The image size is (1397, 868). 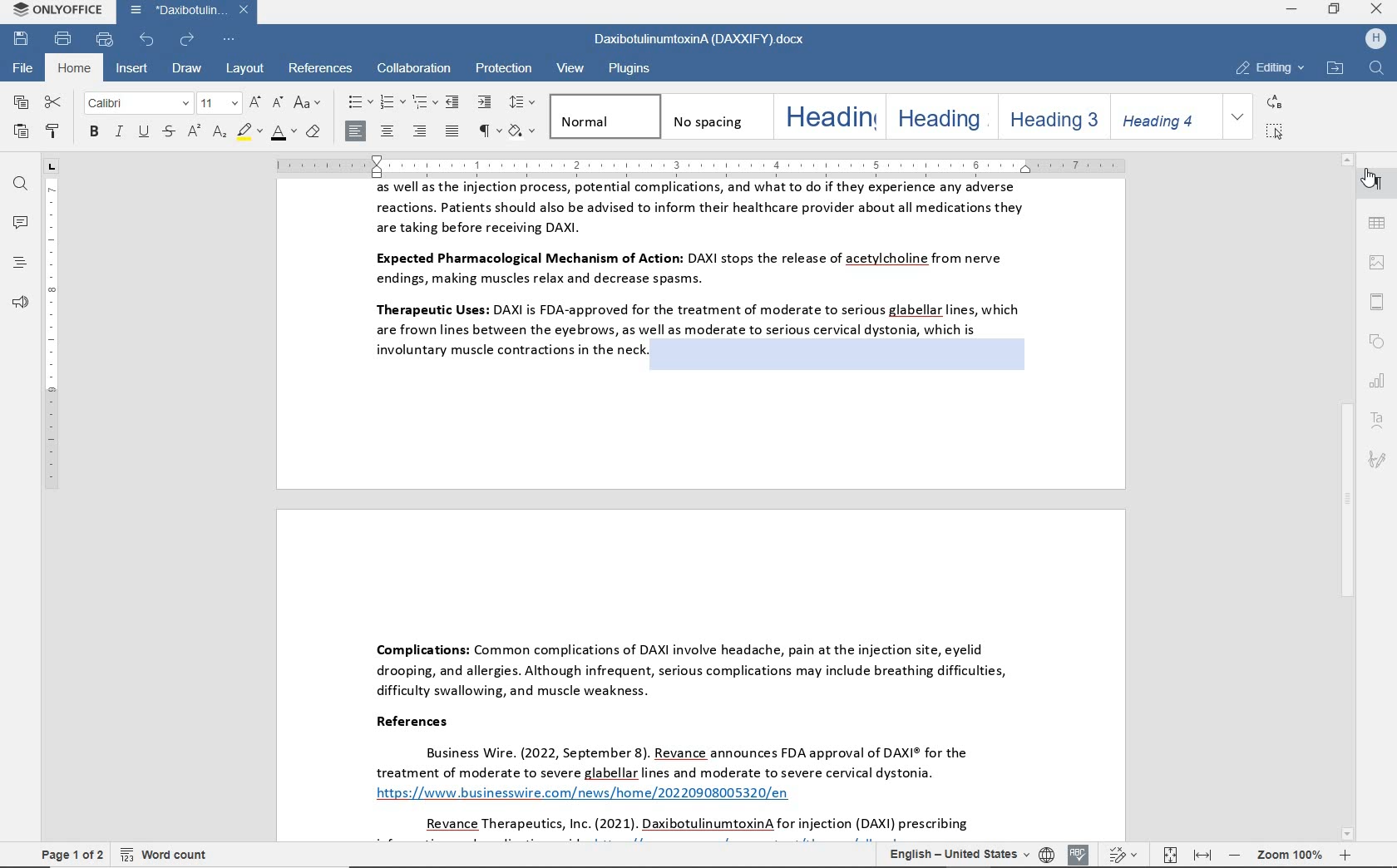 I want to click on align left, so click(x=420, y=131).